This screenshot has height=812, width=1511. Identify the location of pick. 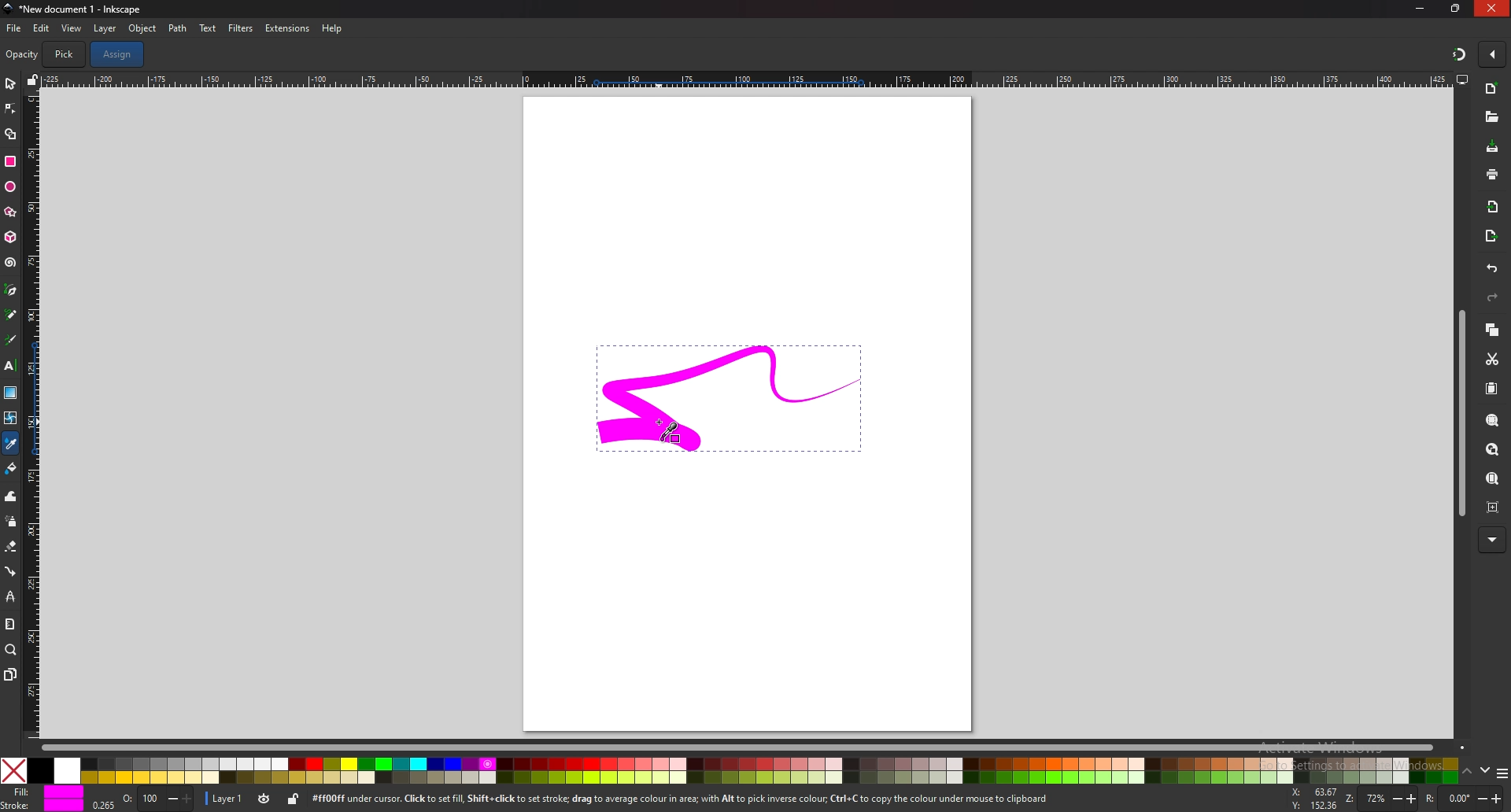
(64, 54).